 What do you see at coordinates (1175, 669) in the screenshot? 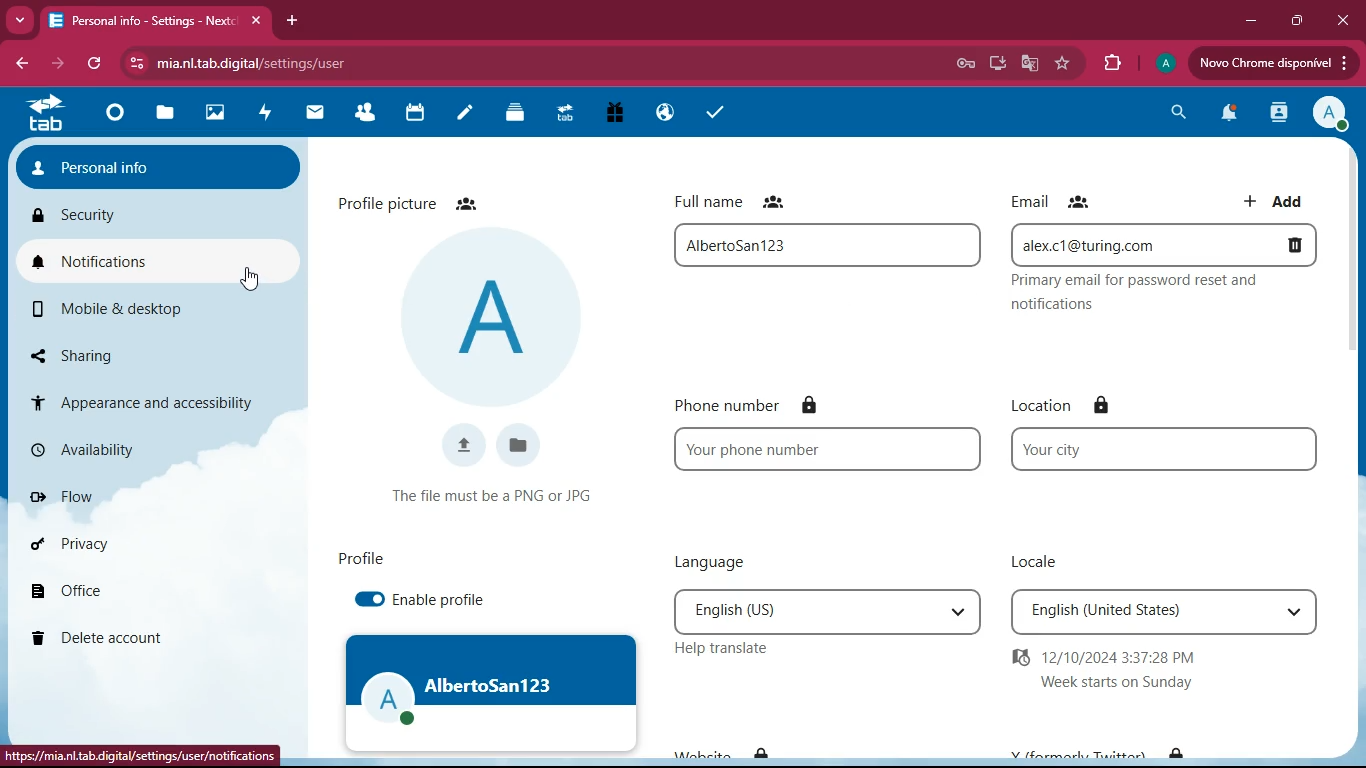
I see `time` at bounding box center [1175, 669].